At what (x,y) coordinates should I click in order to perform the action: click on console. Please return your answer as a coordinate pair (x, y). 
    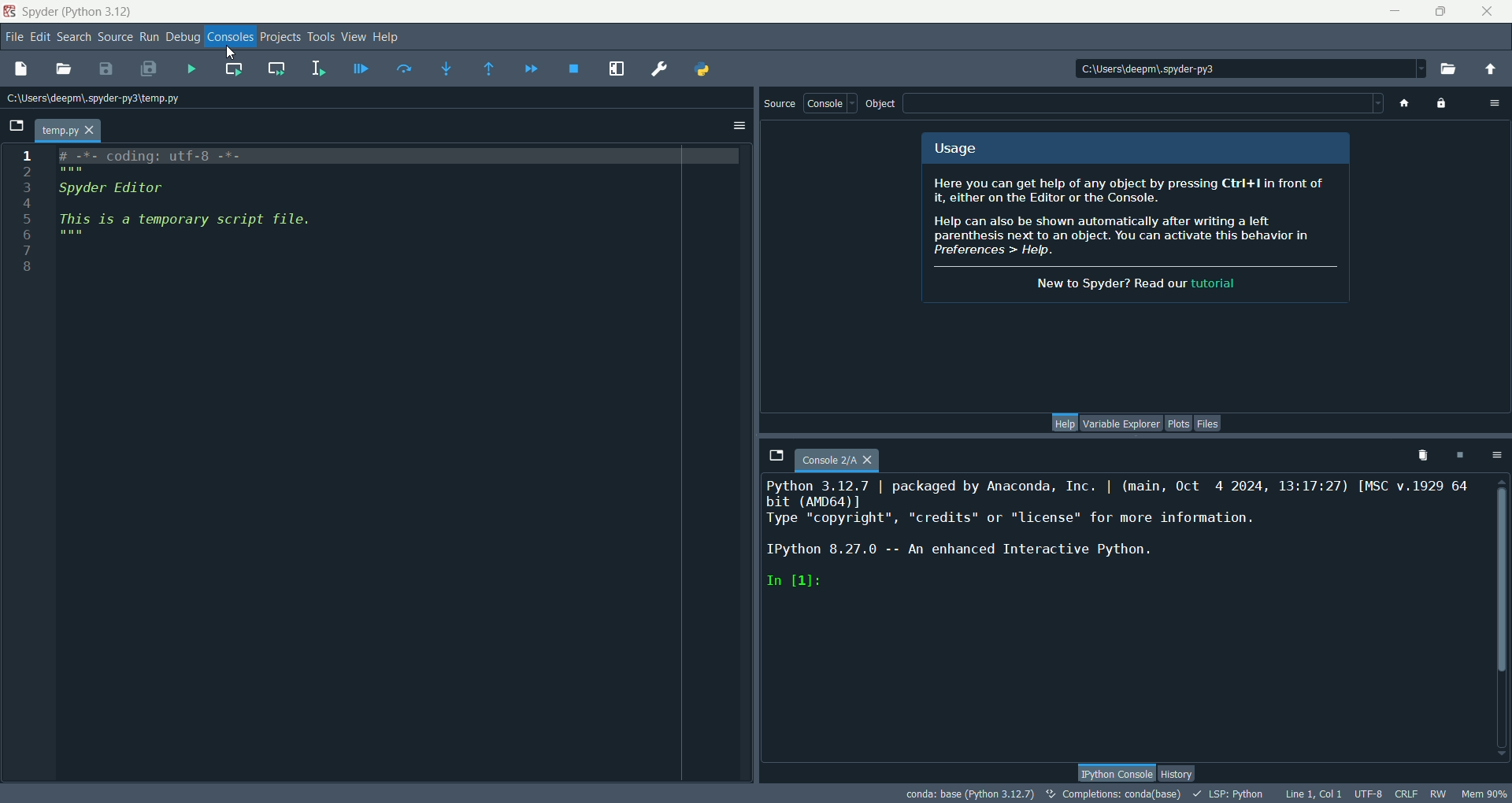
    Looking at the image, I should click on (830, 103).